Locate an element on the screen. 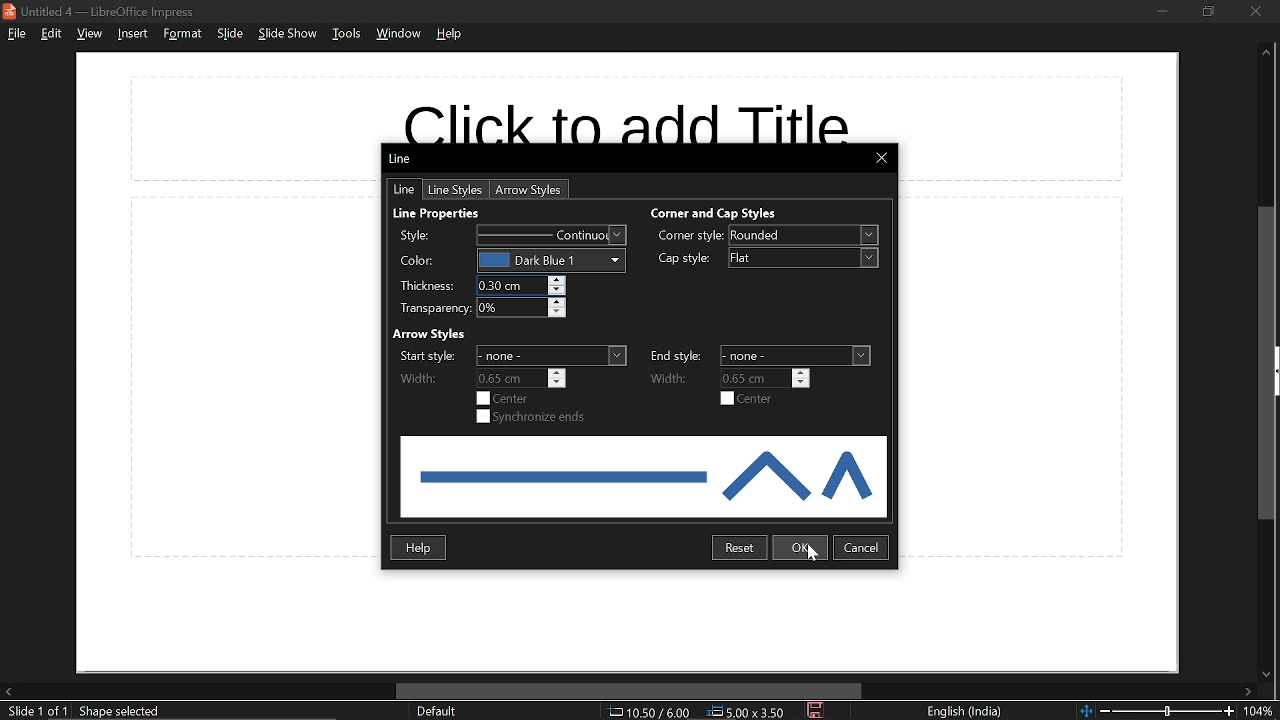  arrow styles is located at coordinates (529, 190).